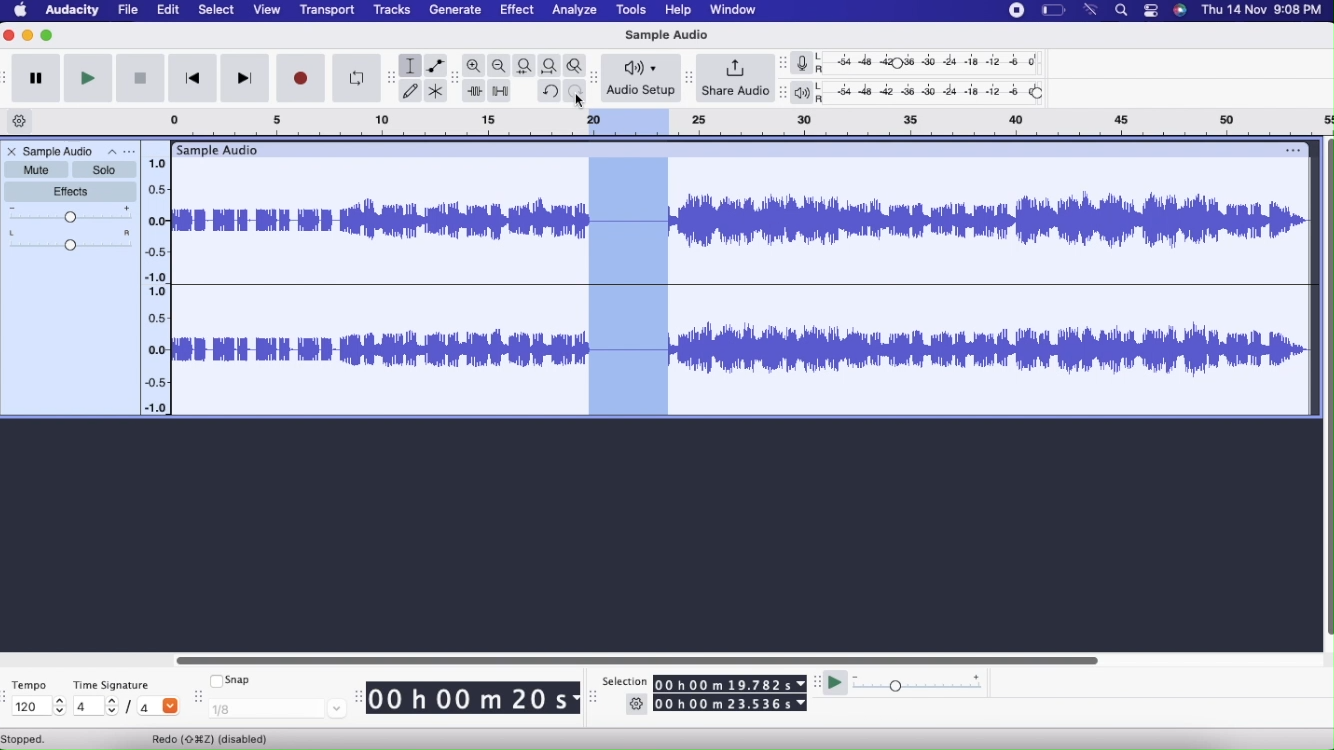  I want to click on Pan: Center, so click(68, 241).